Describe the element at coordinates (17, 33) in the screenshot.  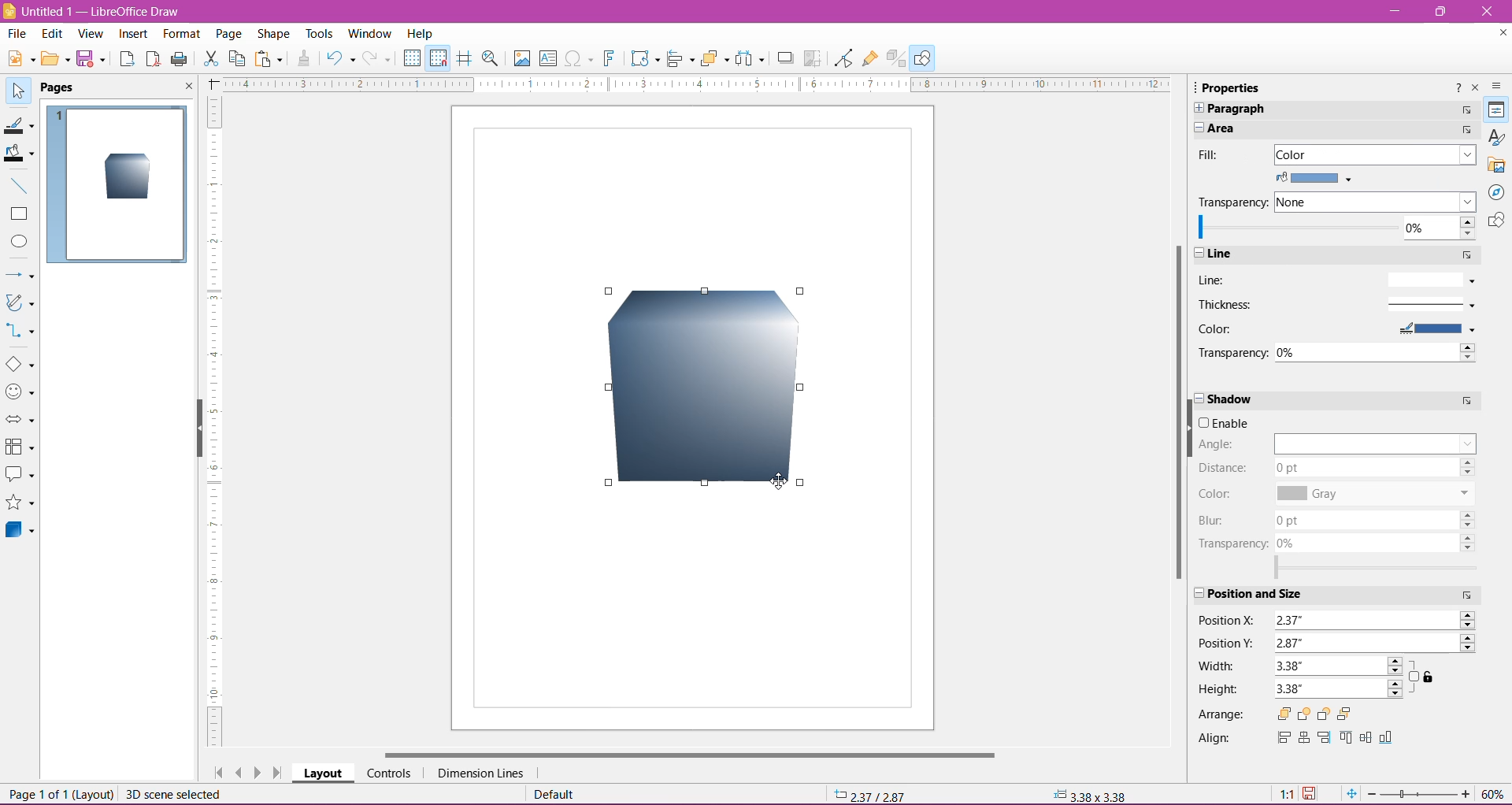
I see `File` at that location.